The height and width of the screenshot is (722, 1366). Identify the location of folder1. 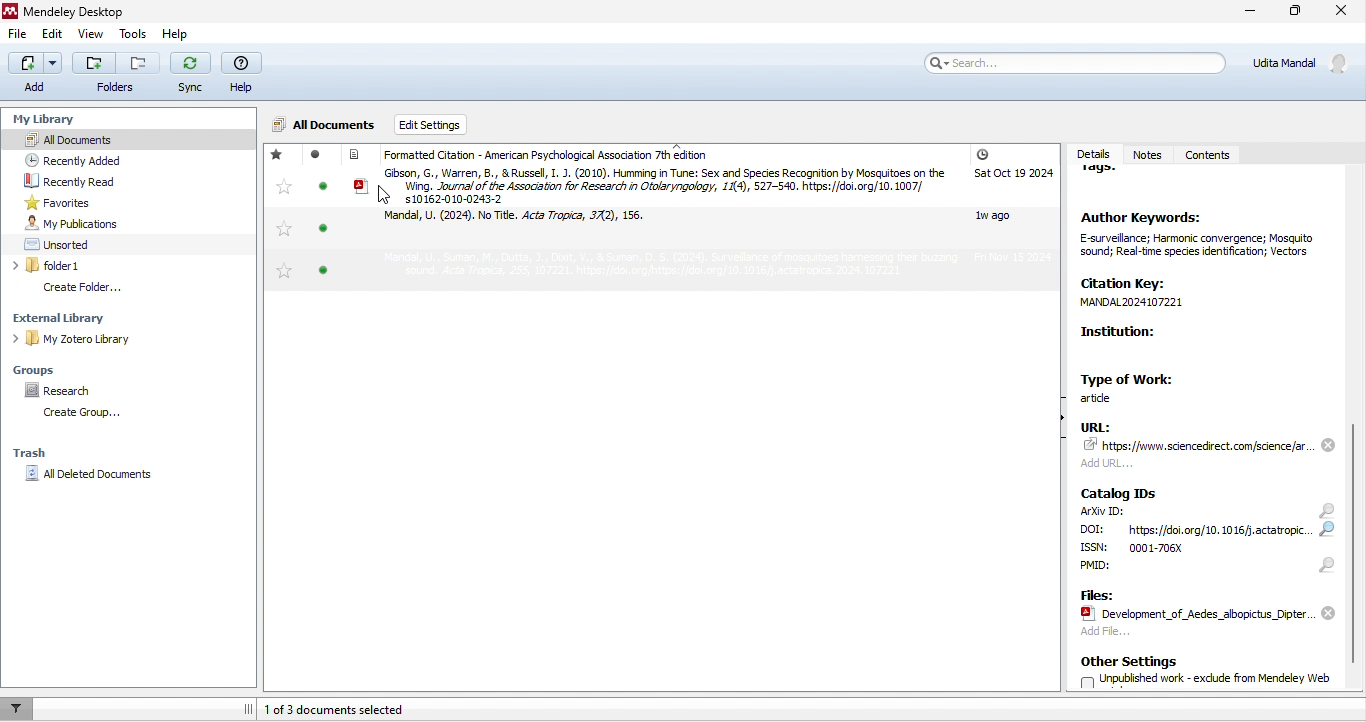
(98, 266).